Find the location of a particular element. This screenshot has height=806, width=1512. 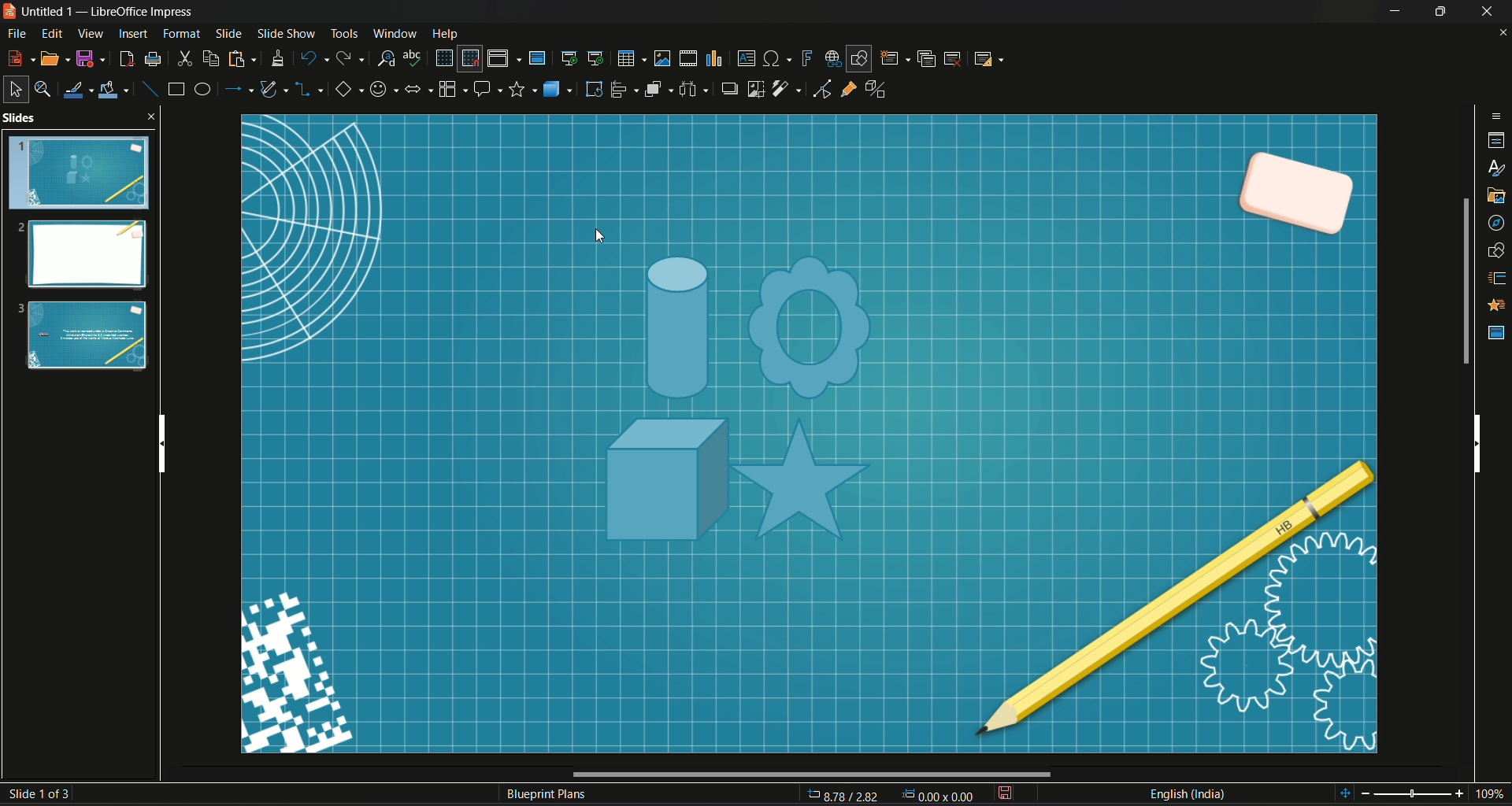

Minimize is located at coordinates (1395, 11).